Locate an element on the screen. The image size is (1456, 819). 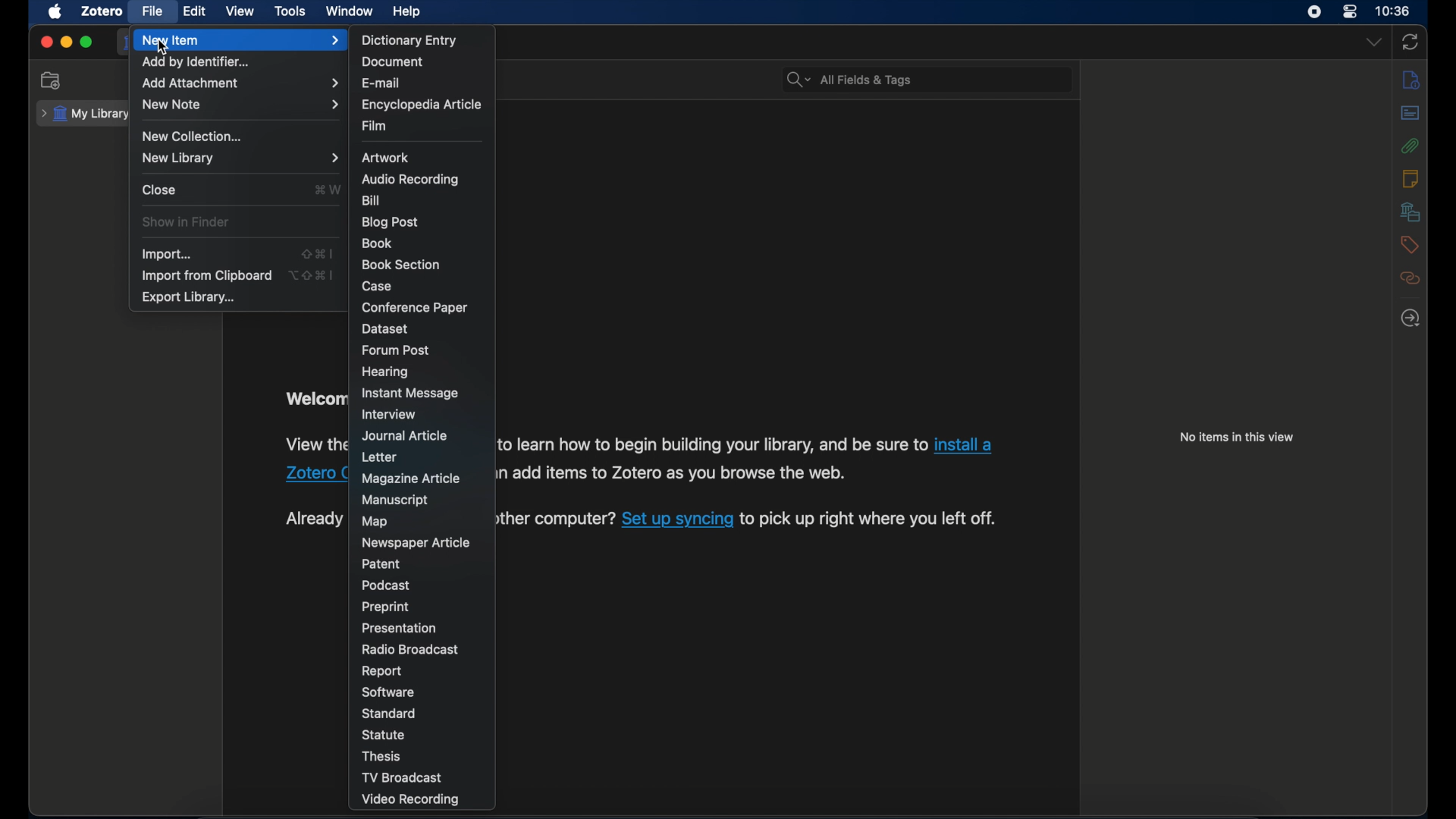
podcast is located at coordinates (386, 585).